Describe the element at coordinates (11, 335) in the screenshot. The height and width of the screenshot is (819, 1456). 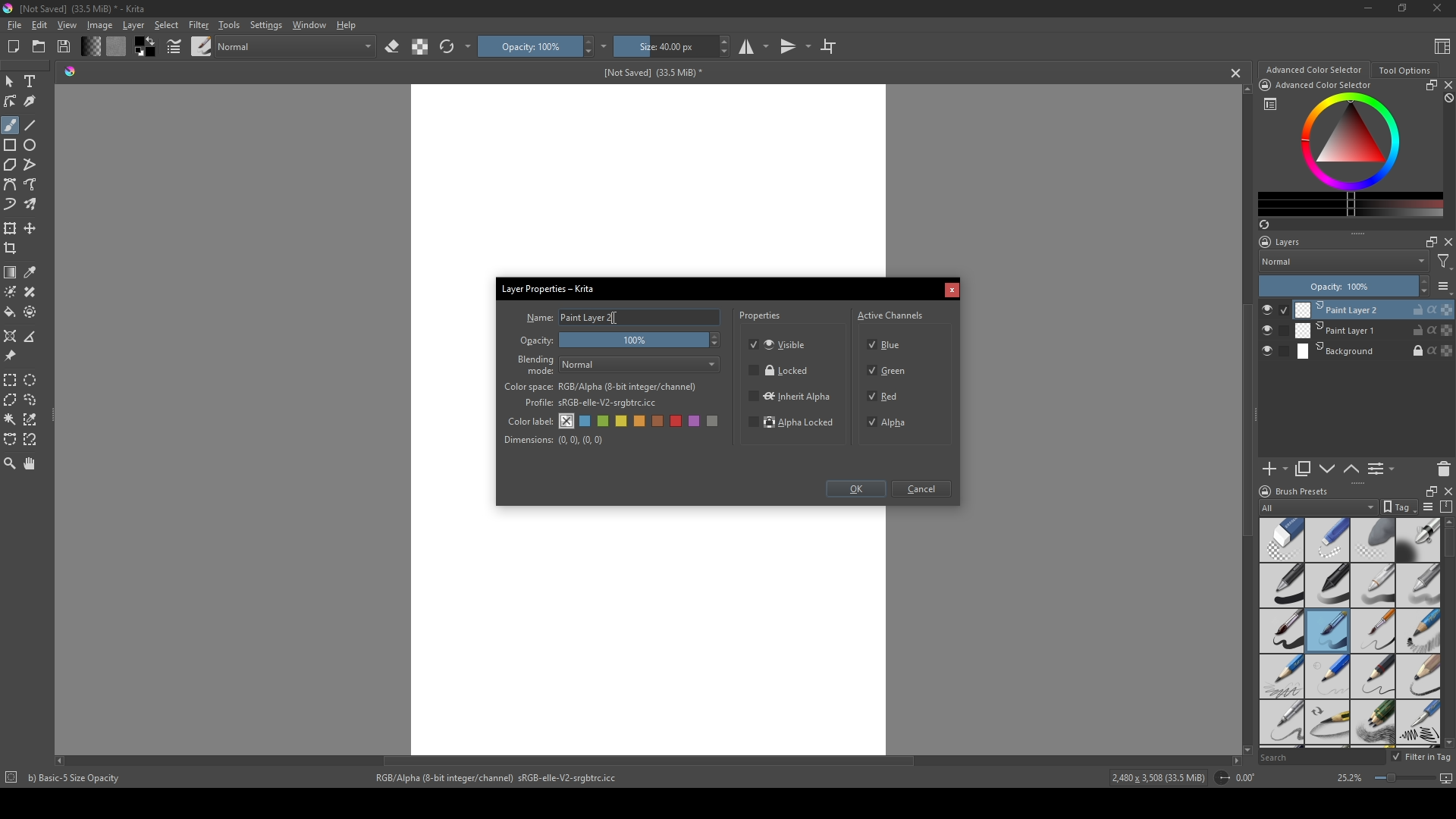
I see `assistant` at that location.